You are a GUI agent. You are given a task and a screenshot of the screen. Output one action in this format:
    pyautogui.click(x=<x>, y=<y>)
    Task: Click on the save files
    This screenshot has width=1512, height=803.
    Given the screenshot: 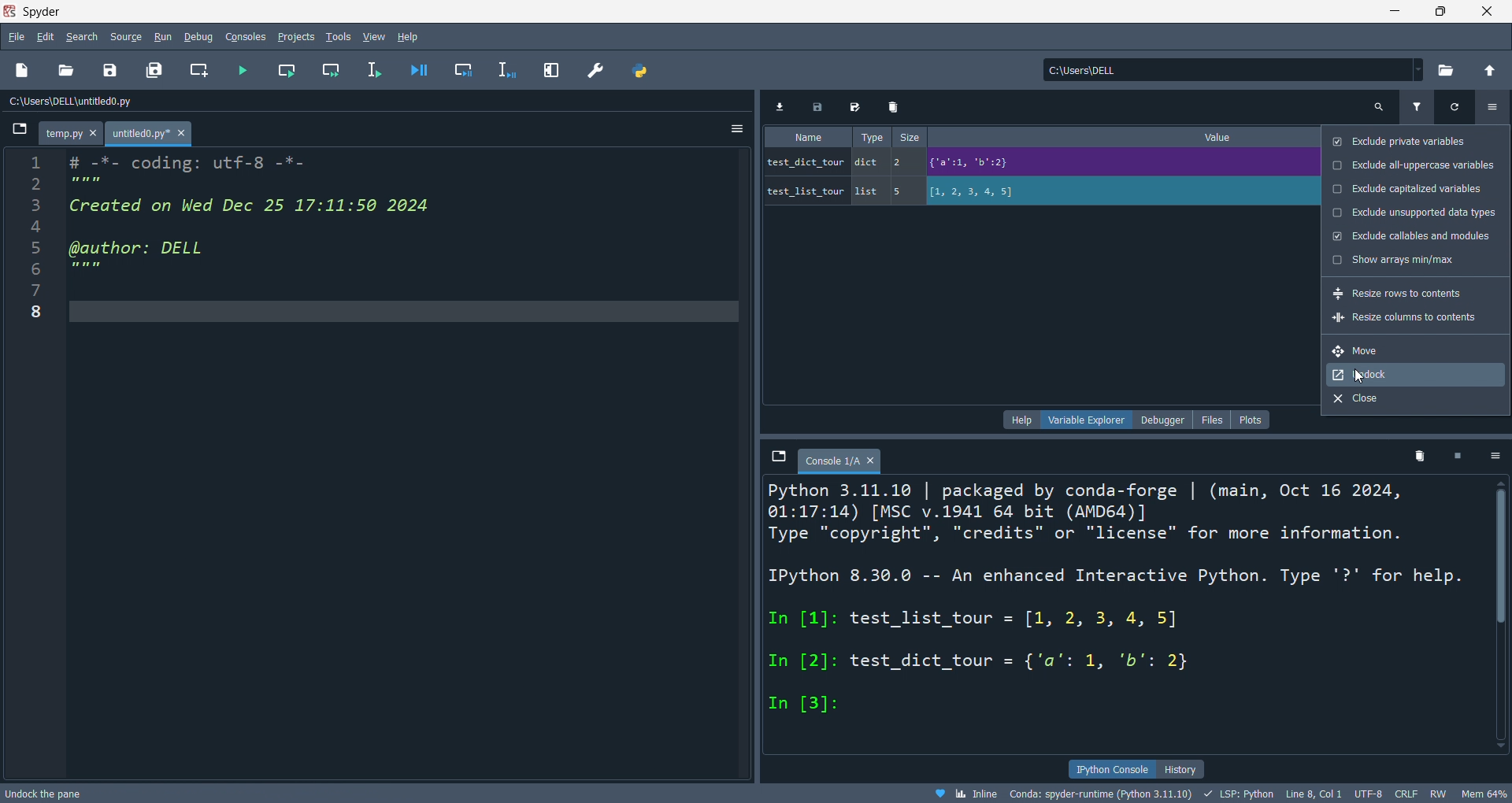 What is the action you would take?
    pyautogui.click(x=155, y=71)
    